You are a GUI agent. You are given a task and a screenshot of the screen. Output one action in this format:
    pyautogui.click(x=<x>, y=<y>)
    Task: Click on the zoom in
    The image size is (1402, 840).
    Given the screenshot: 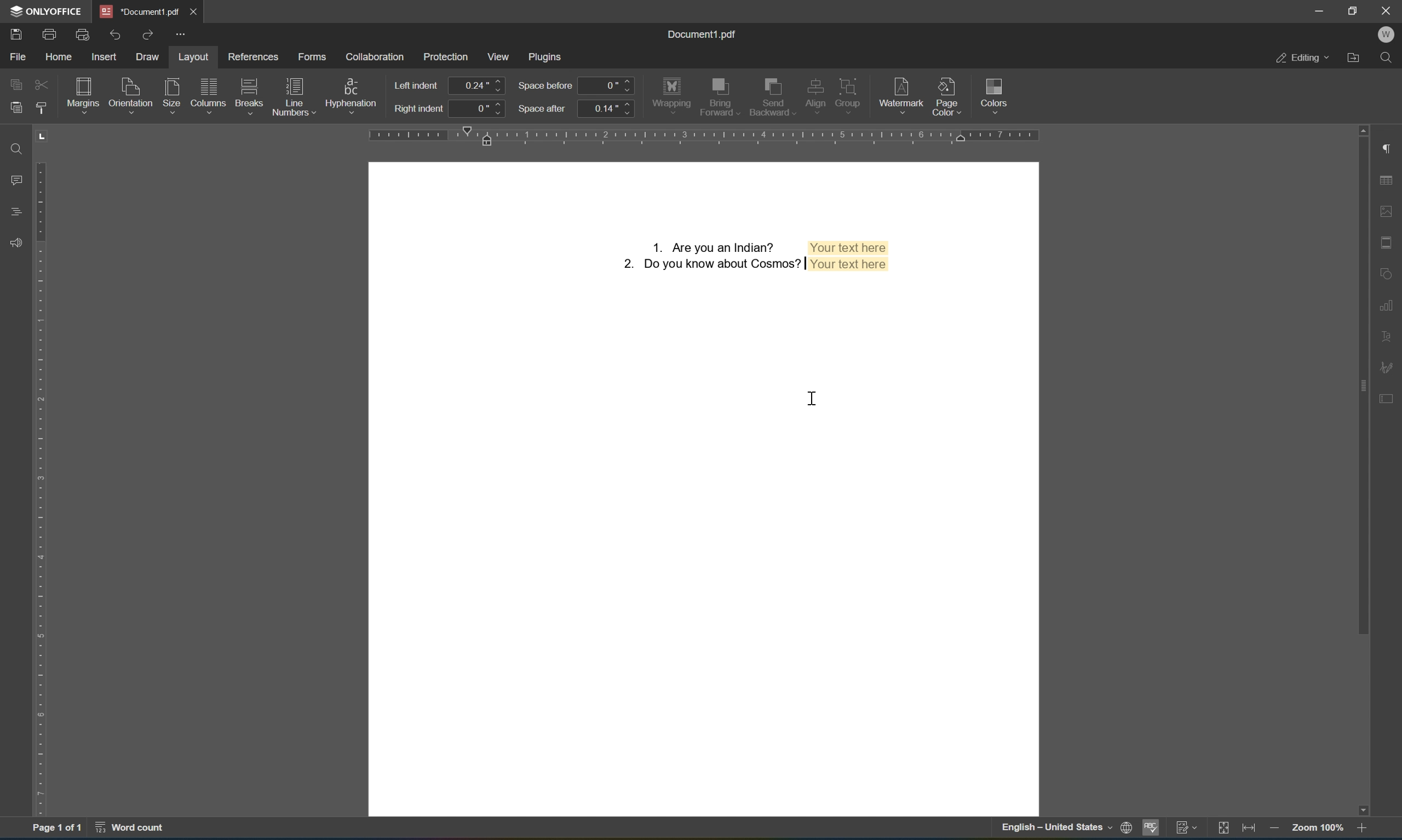 What is the action you would take?
    pyautogui.click(x=1364, y=830)
    